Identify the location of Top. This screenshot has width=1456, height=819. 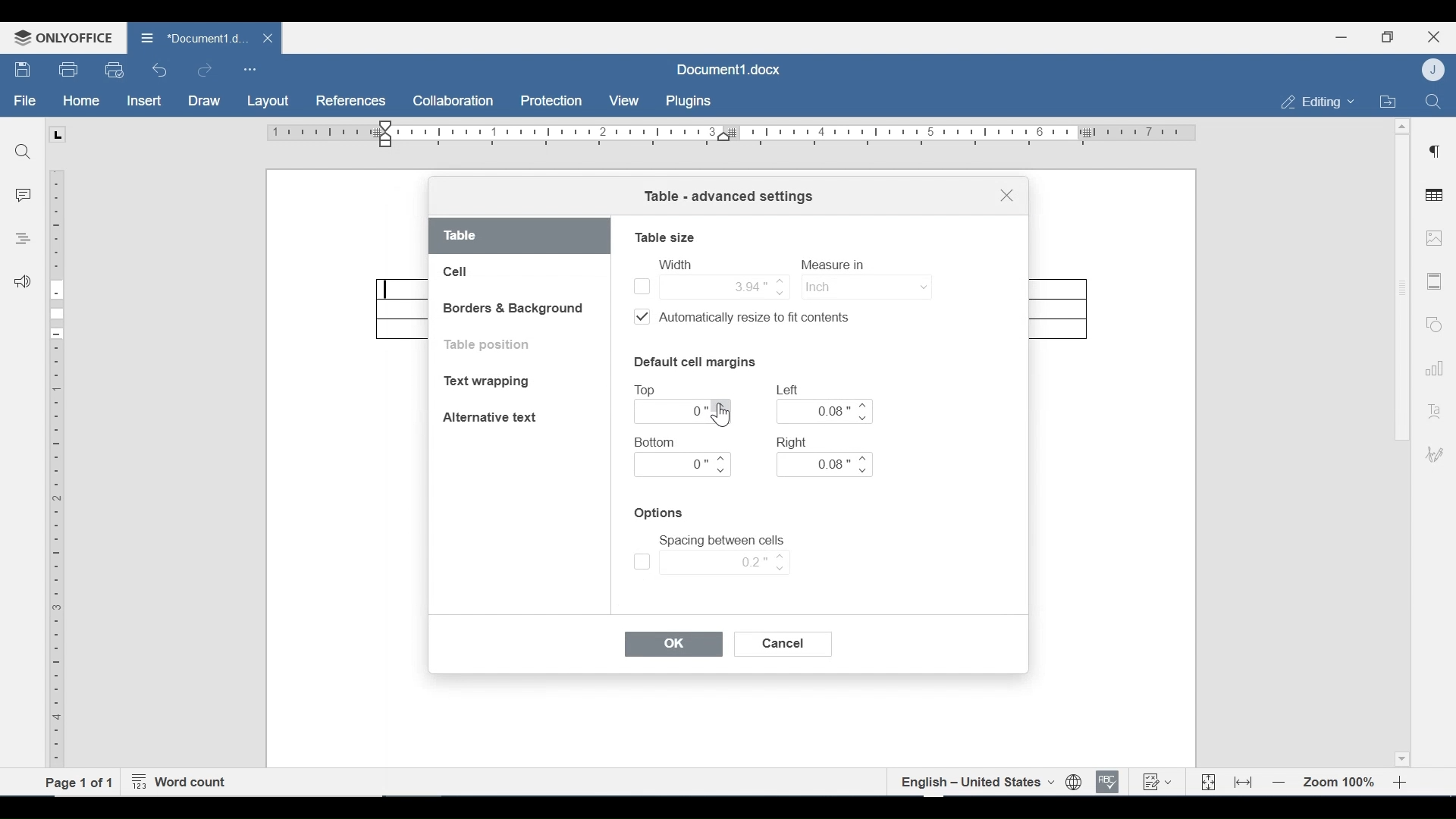
(648, 391).